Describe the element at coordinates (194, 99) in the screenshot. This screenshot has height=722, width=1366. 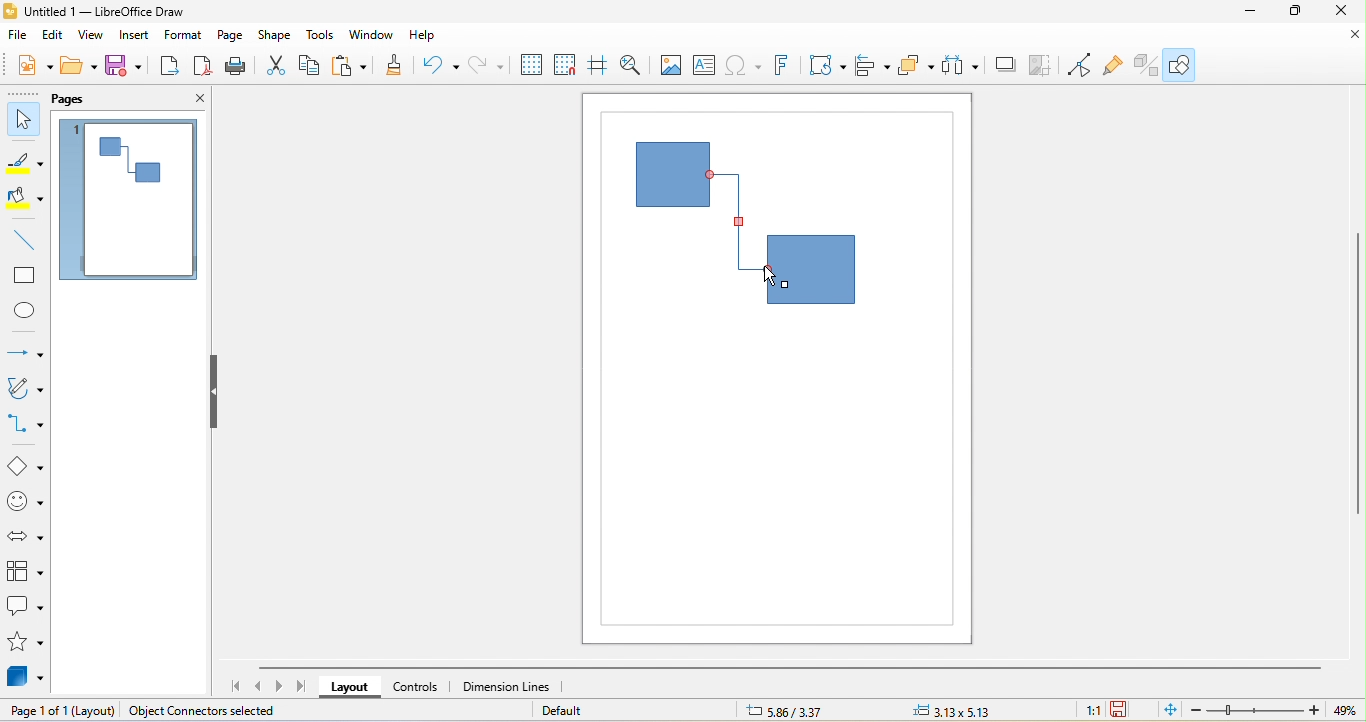
I see `close` at that location.